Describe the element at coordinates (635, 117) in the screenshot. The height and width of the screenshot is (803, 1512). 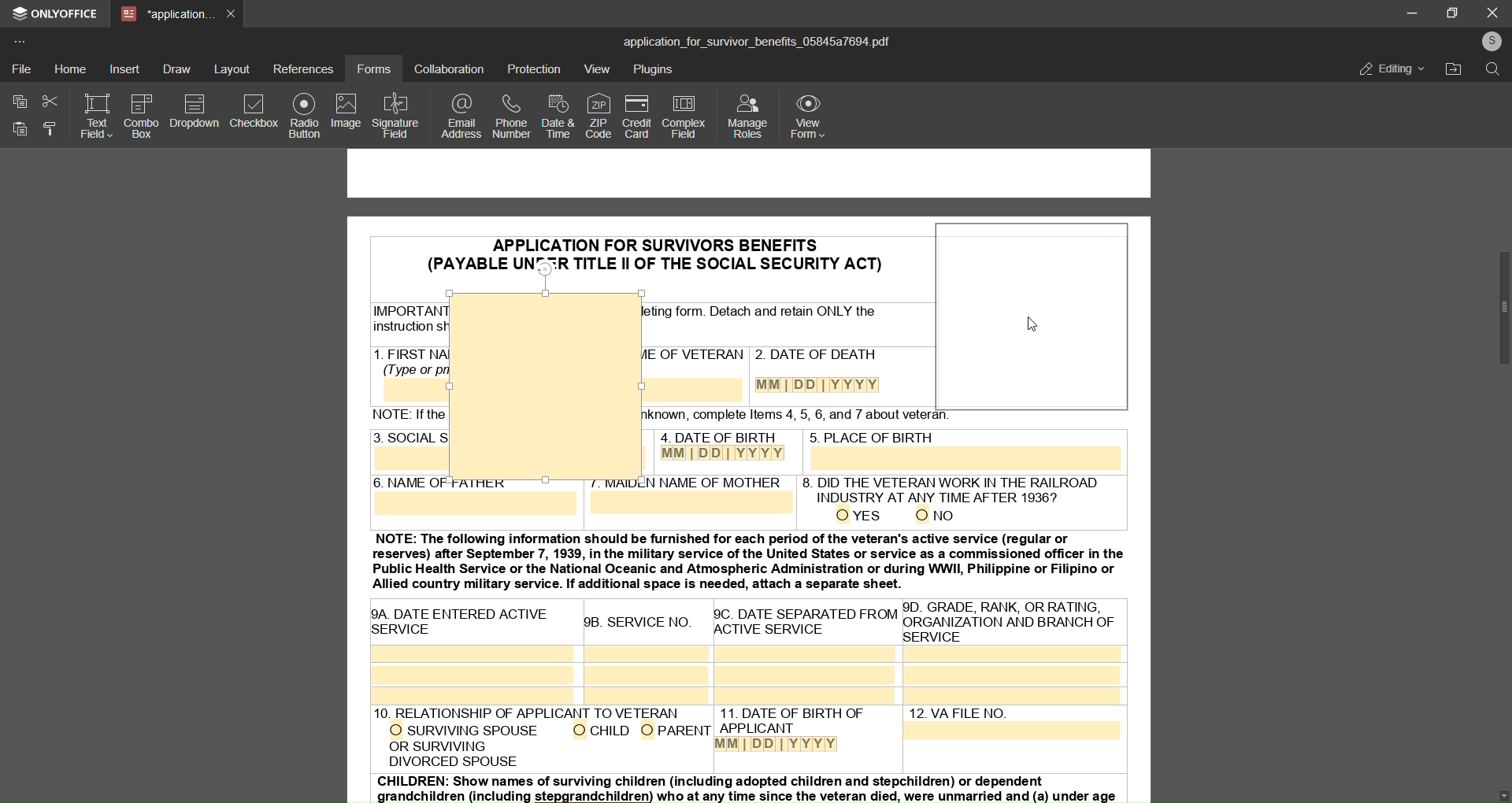
I see `credit card` at that location.